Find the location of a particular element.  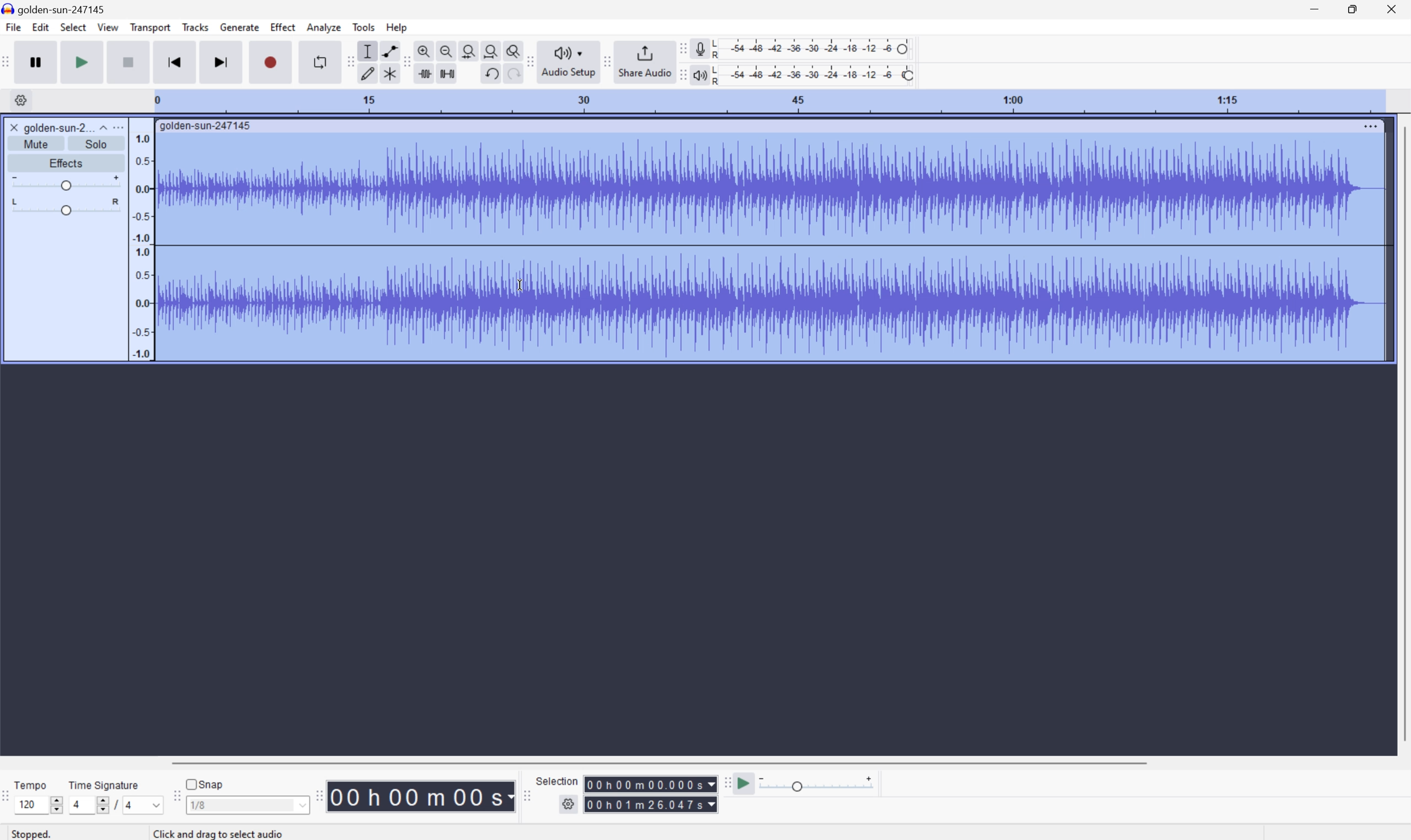

Draw tool is located at coordinates (368, 75).